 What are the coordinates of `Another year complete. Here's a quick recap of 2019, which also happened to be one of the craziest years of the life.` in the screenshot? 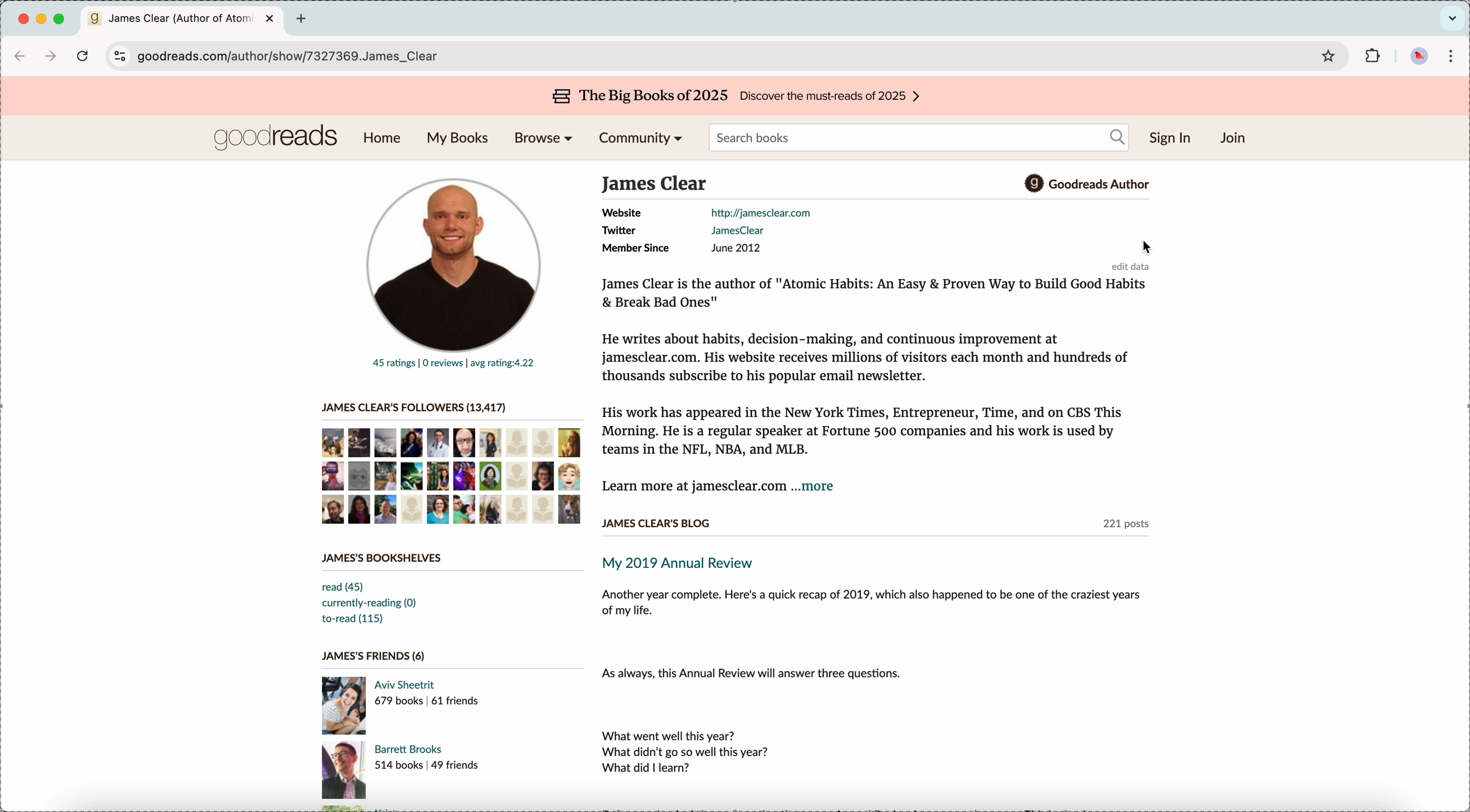 It's located at (873, 606).